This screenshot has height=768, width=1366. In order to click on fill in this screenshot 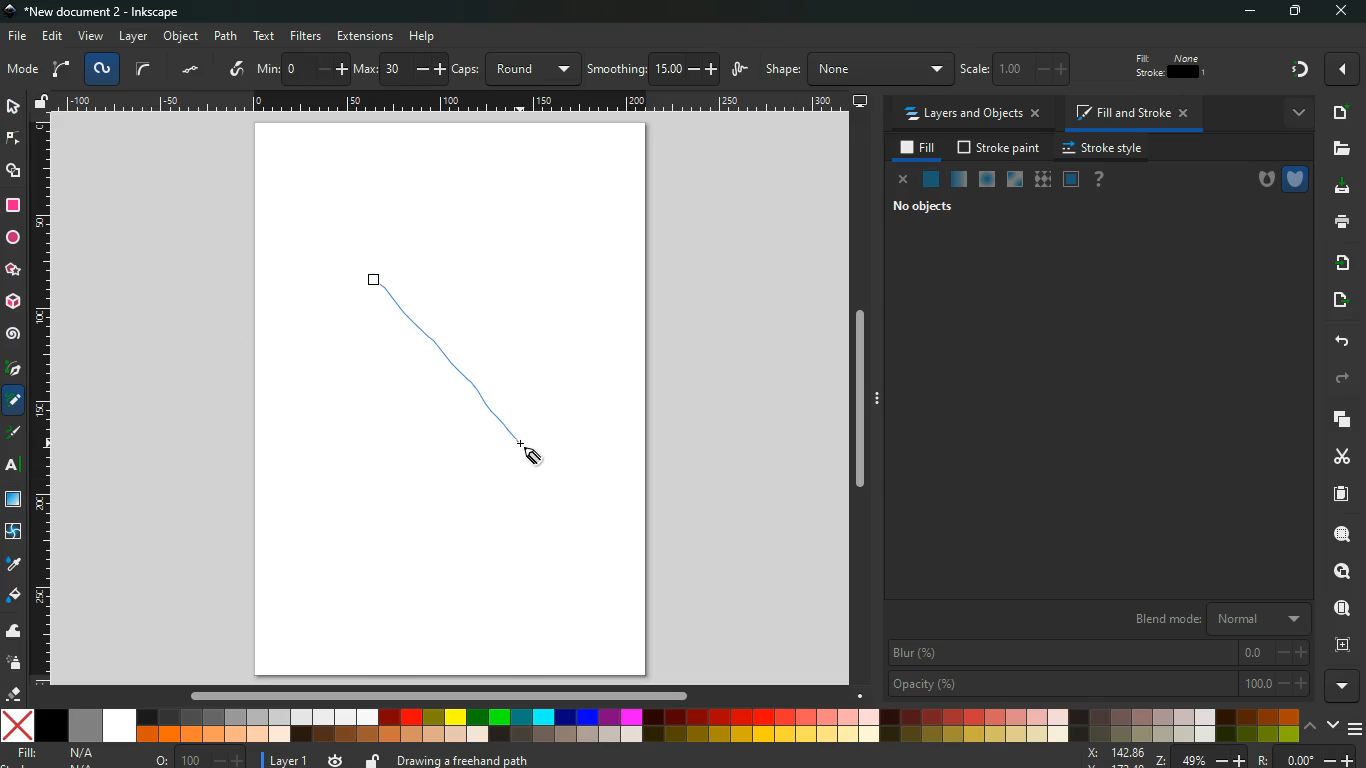, I will do `click(1171, 66)`.